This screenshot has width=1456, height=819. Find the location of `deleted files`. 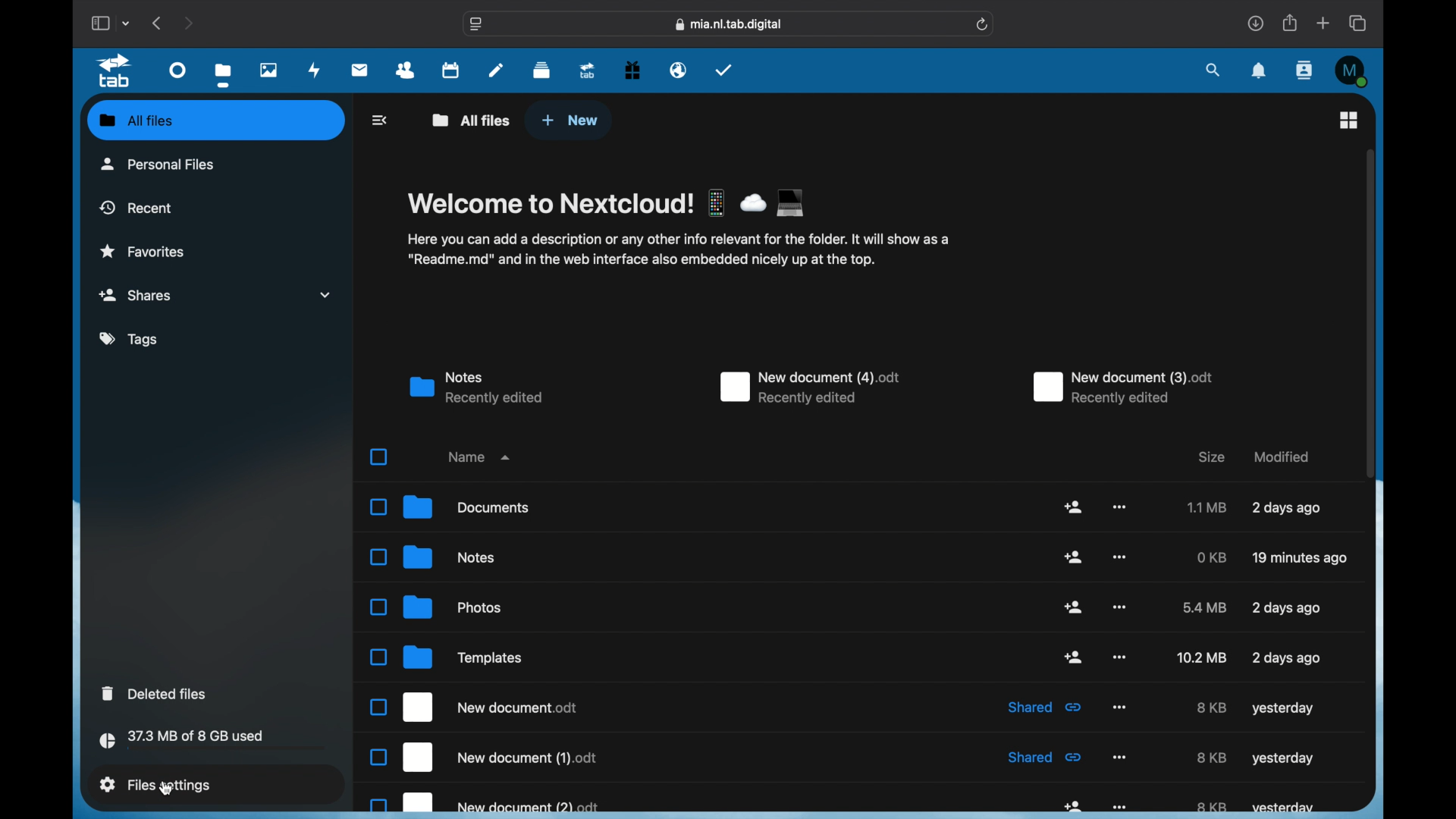

deleted files is located at coordinates (155, 692).